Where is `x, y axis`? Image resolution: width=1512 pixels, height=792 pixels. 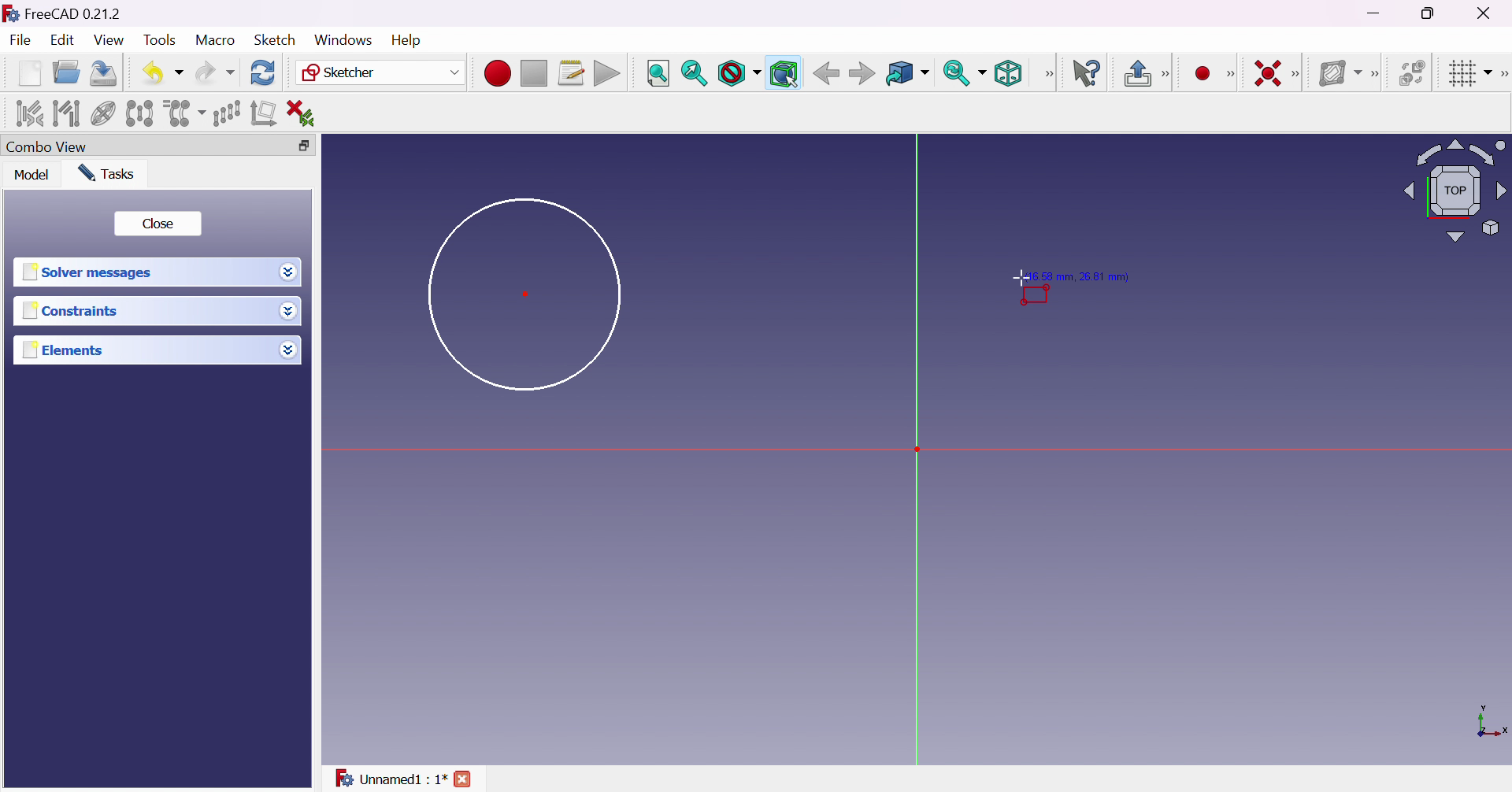 x, y axis is located at coordinates (1490, 723).